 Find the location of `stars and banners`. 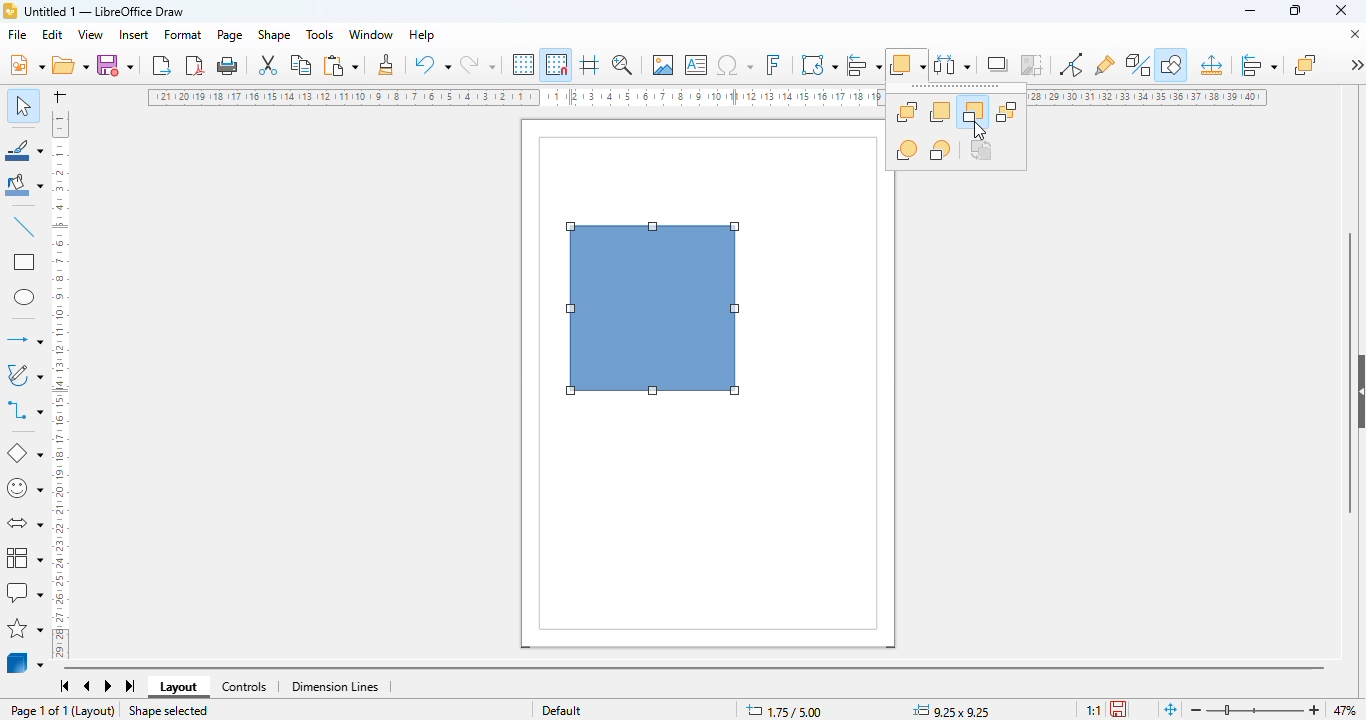

stars and banners is located at coordinates (26, 627).